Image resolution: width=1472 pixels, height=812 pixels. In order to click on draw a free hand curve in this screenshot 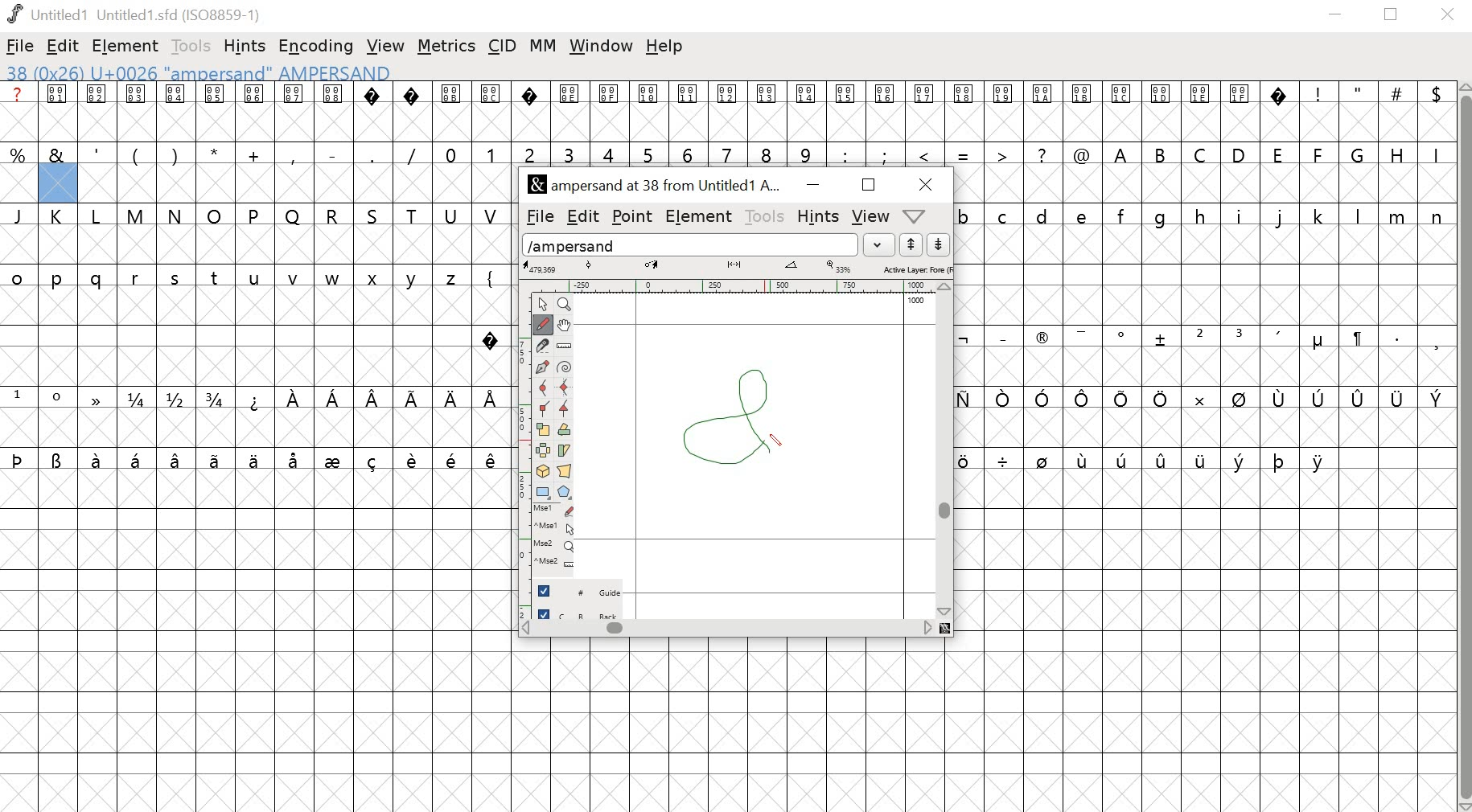, I will do `click(541, 324)`.